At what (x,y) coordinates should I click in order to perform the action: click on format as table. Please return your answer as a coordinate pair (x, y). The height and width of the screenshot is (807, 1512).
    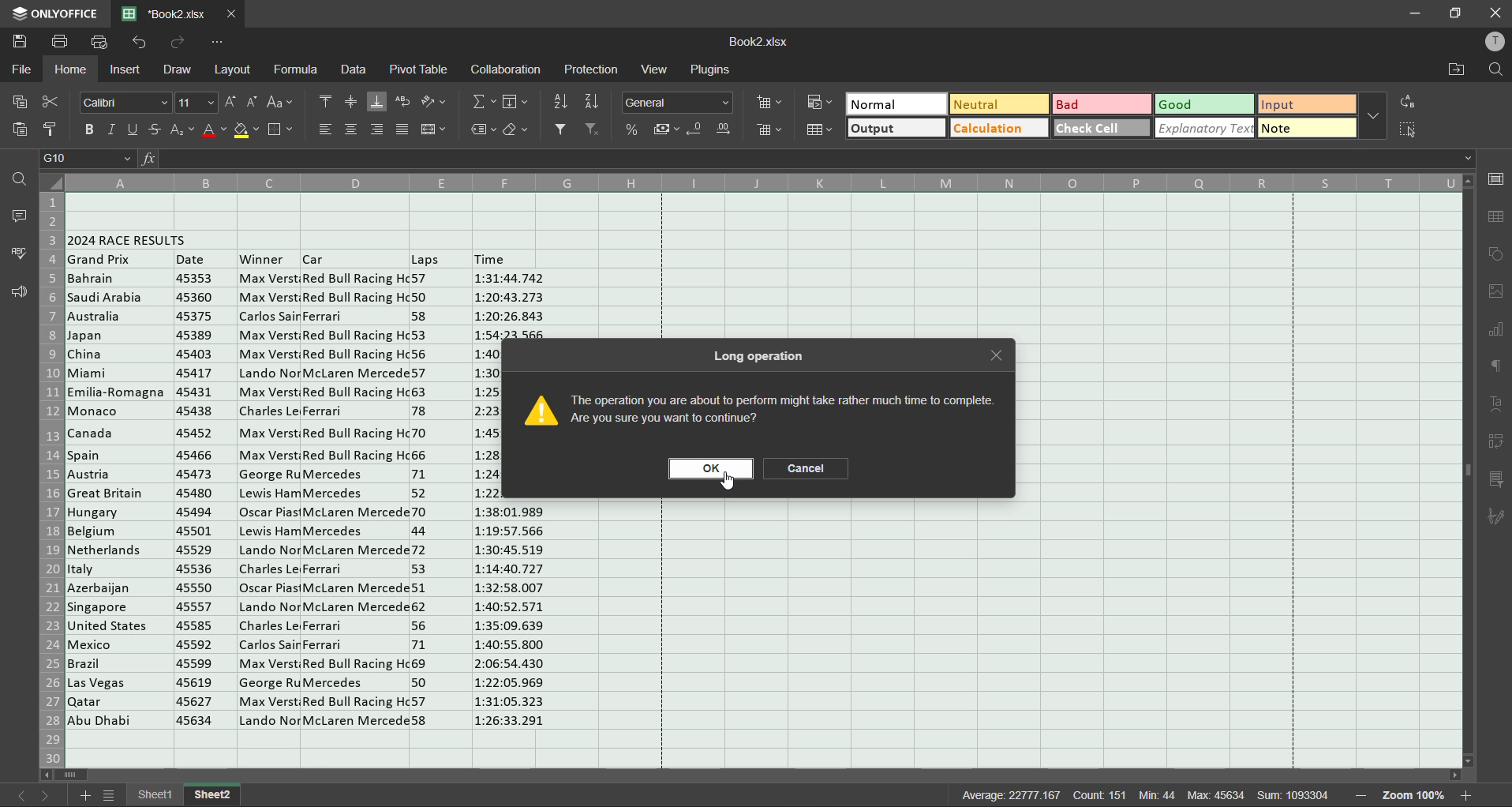
    Looking at the image, I should click on (823, 131).